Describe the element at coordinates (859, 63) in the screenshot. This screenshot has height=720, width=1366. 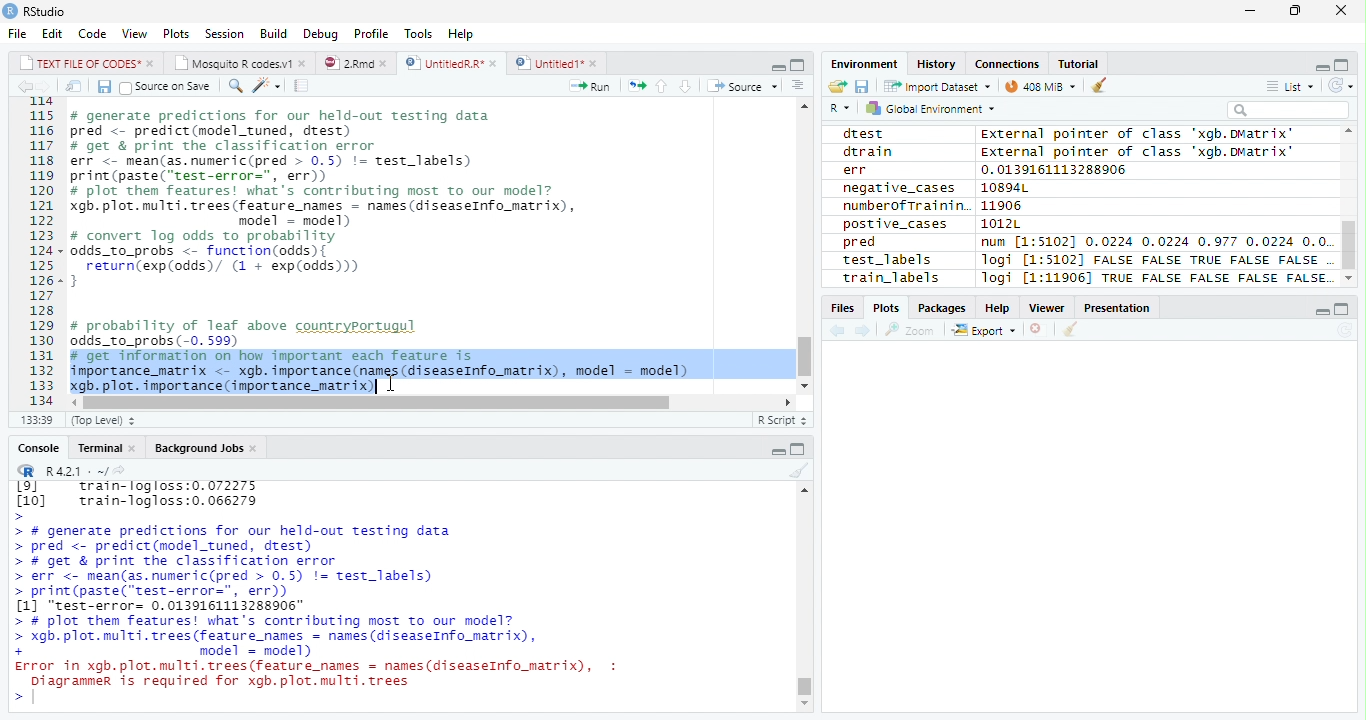
I see `Environment` at that location.